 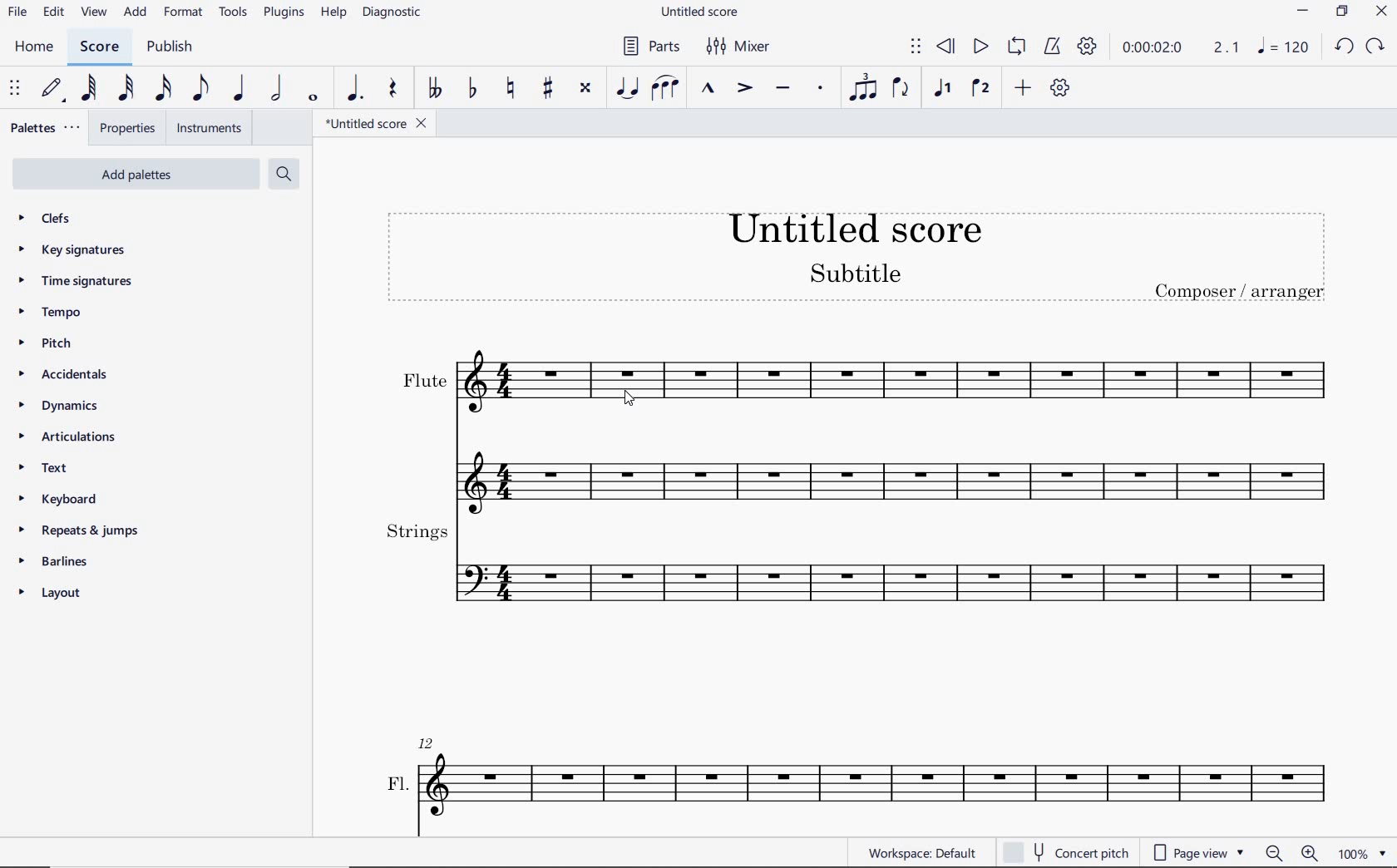 What do you see at coordinates (745, 89) in the screenshot?
I see `ACCENT` at bounding box center [745, 89].